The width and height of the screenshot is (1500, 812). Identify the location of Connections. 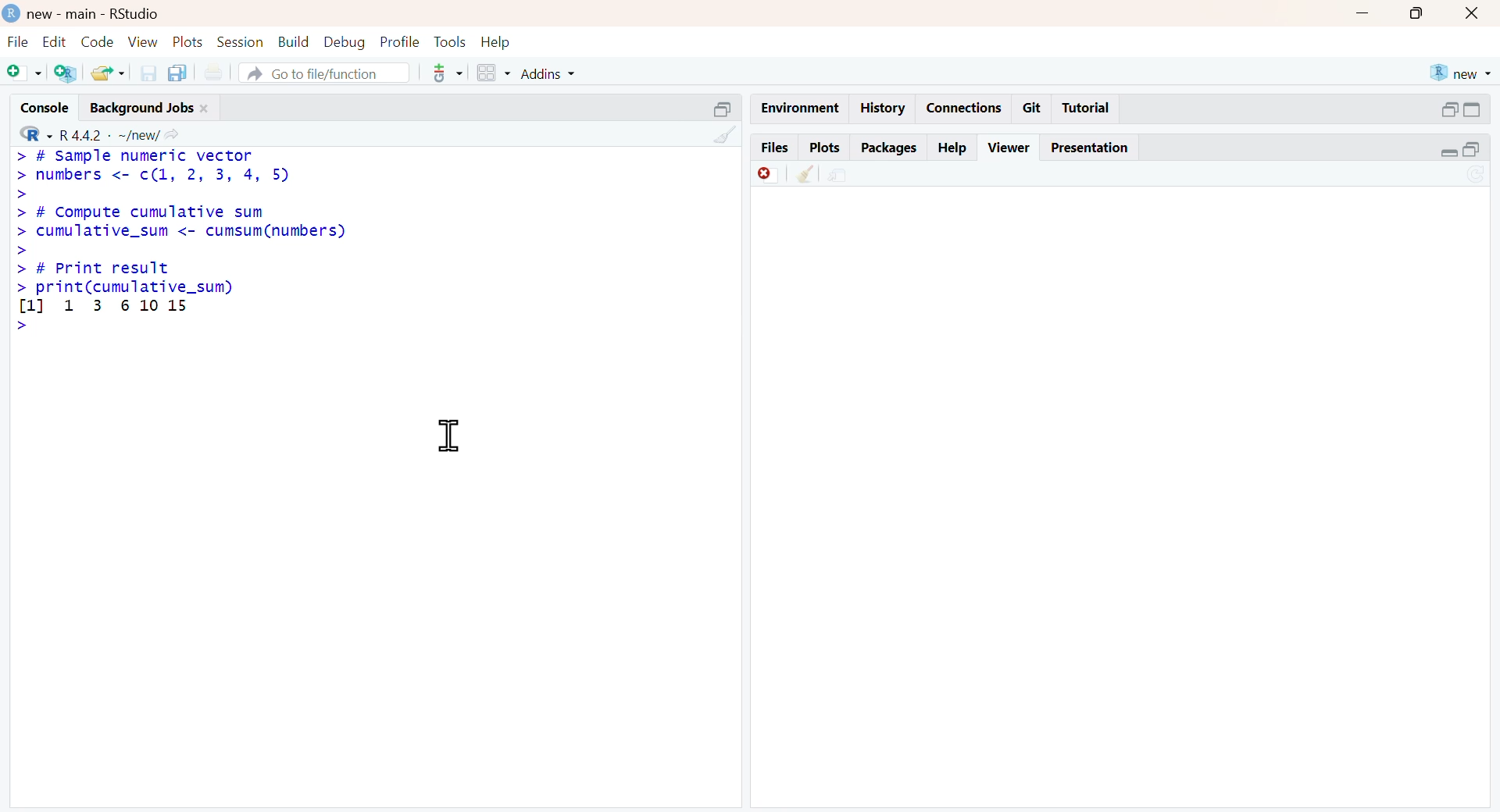
(967, 109).